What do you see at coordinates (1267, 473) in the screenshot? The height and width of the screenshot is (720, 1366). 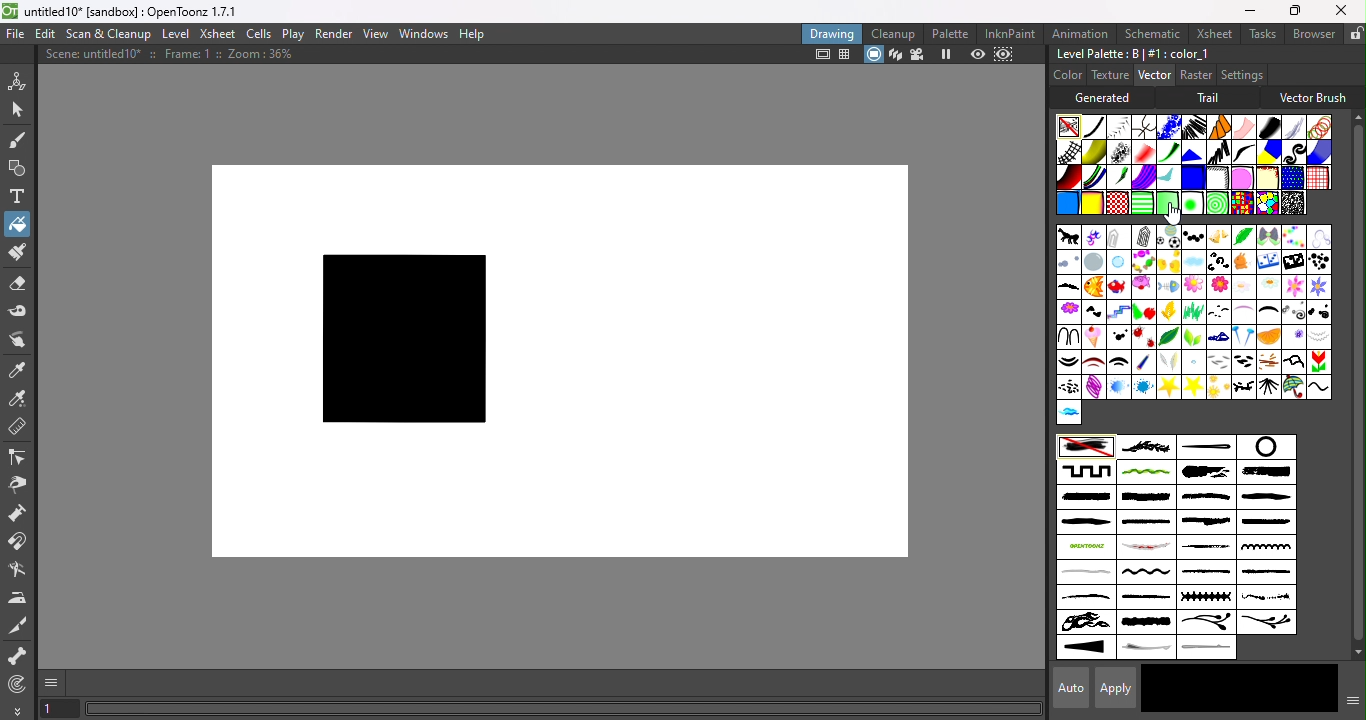 I see `Large_brush2` at bounding box center [1267, 473].